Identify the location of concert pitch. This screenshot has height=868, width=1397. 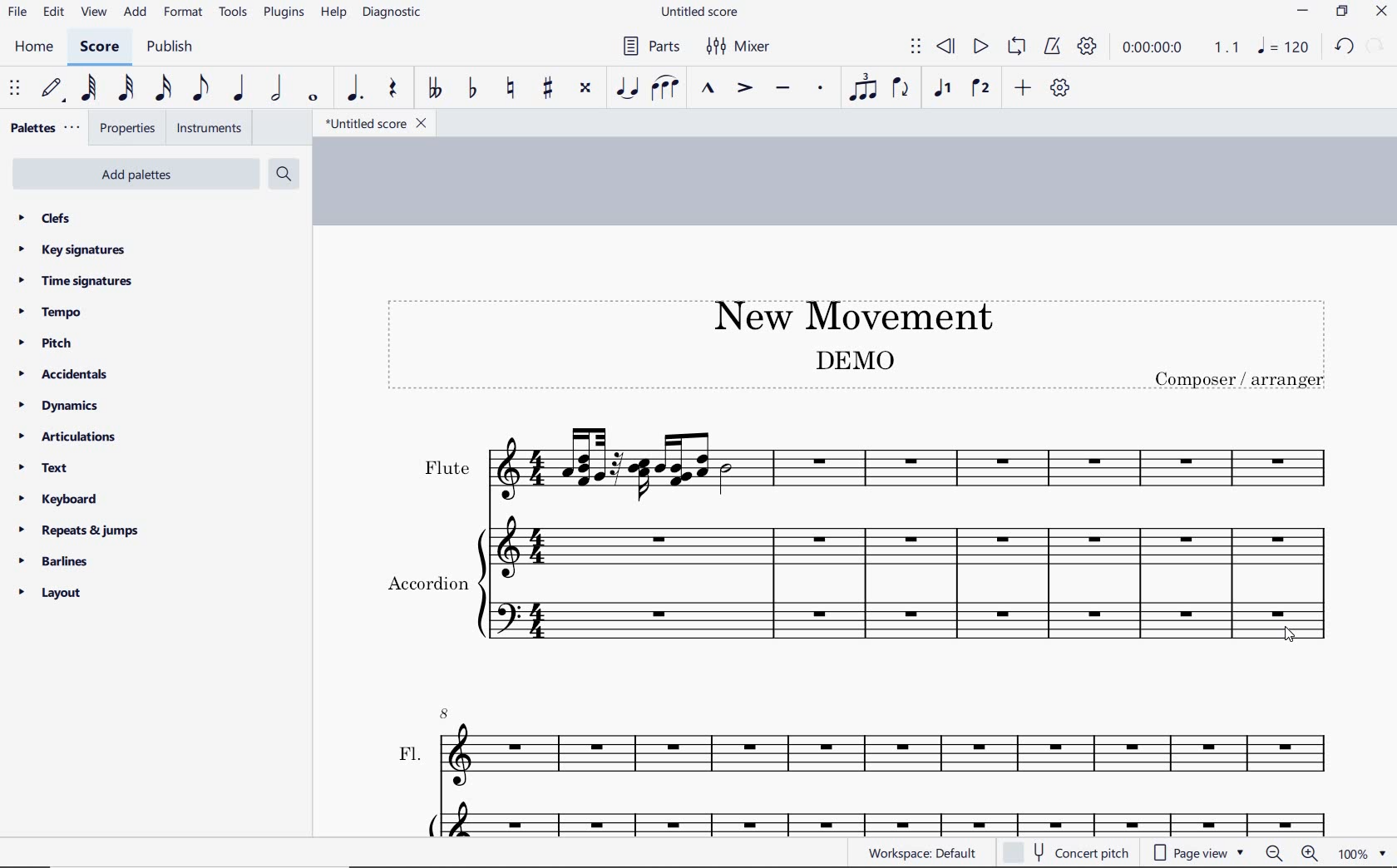
(1068, 851).